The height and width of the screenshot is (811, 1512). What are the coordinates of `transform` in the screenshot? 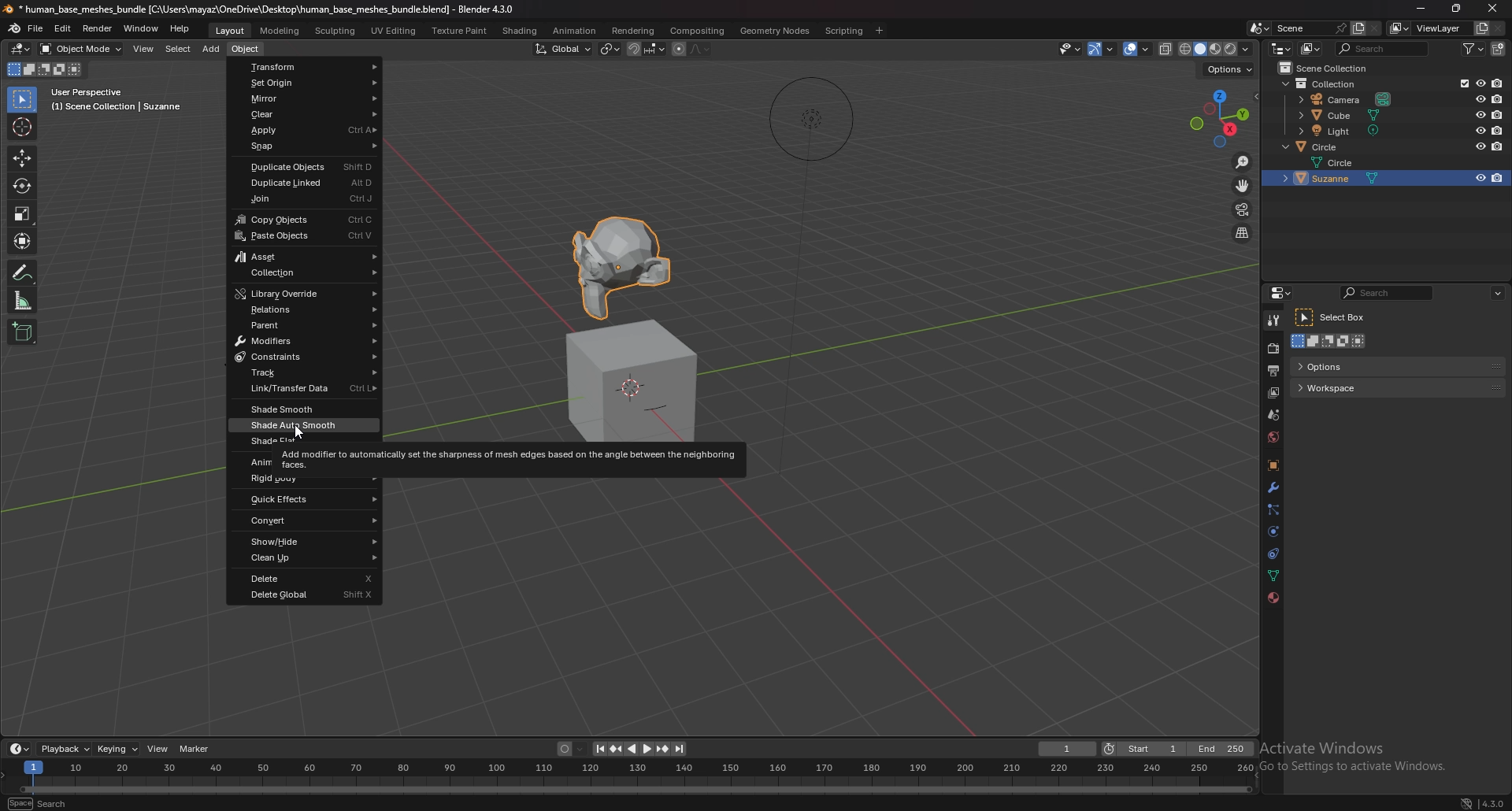 It's located at (24, 242).